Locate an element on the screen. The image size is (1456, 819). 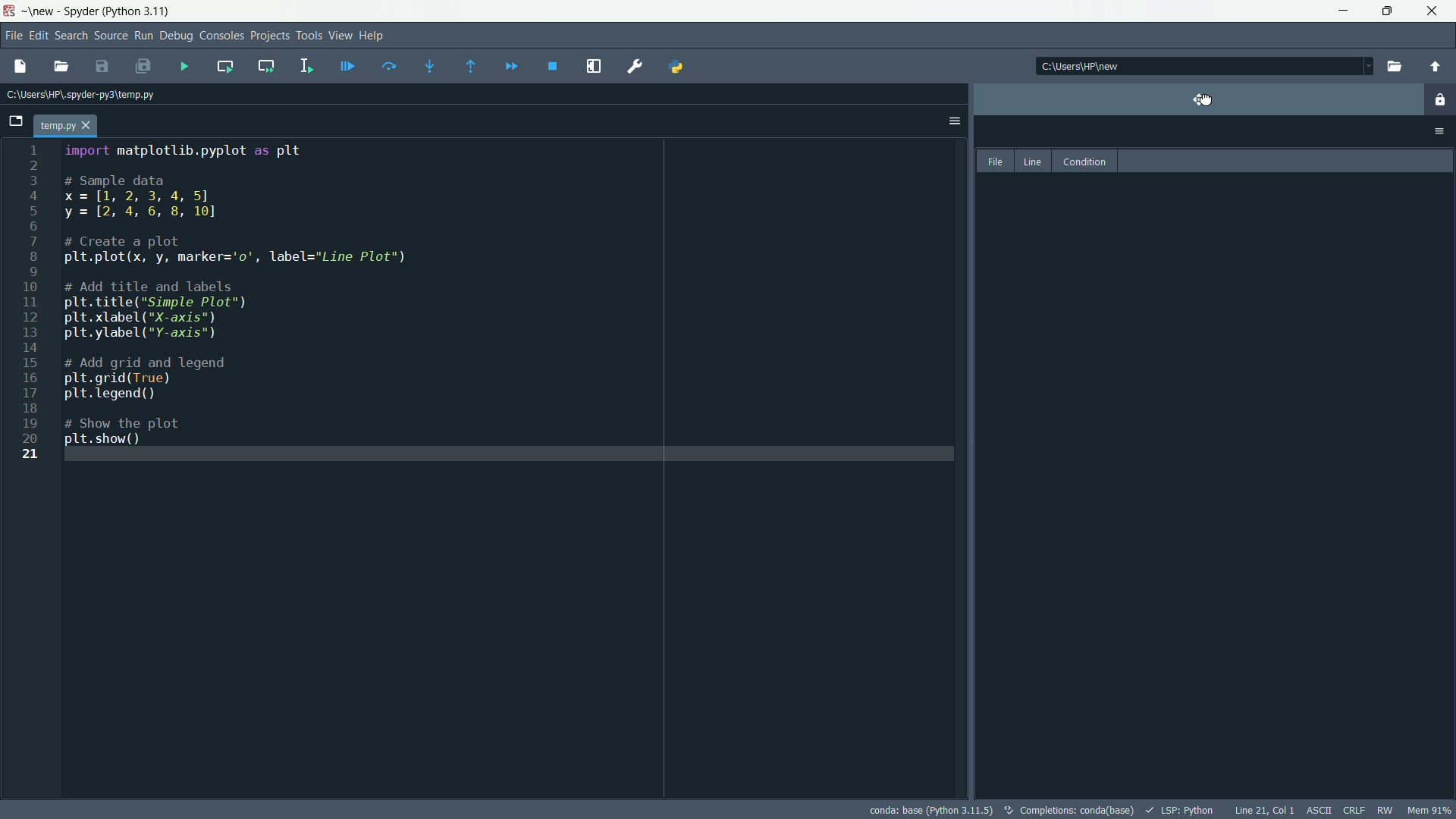
edit menu is located at coordinates (40, 34).